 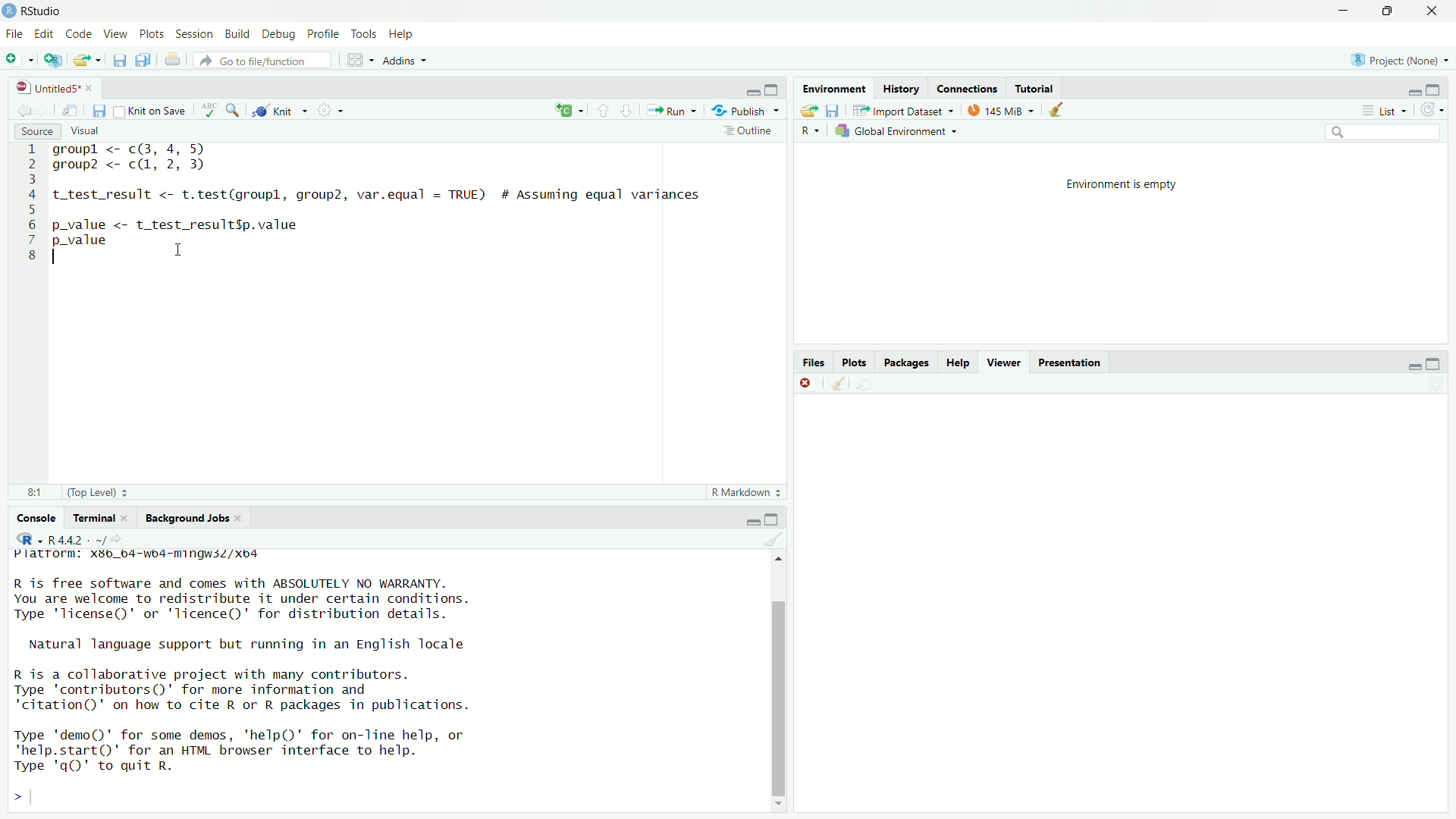 I want to click on Tools, so click(x=366, y=33).